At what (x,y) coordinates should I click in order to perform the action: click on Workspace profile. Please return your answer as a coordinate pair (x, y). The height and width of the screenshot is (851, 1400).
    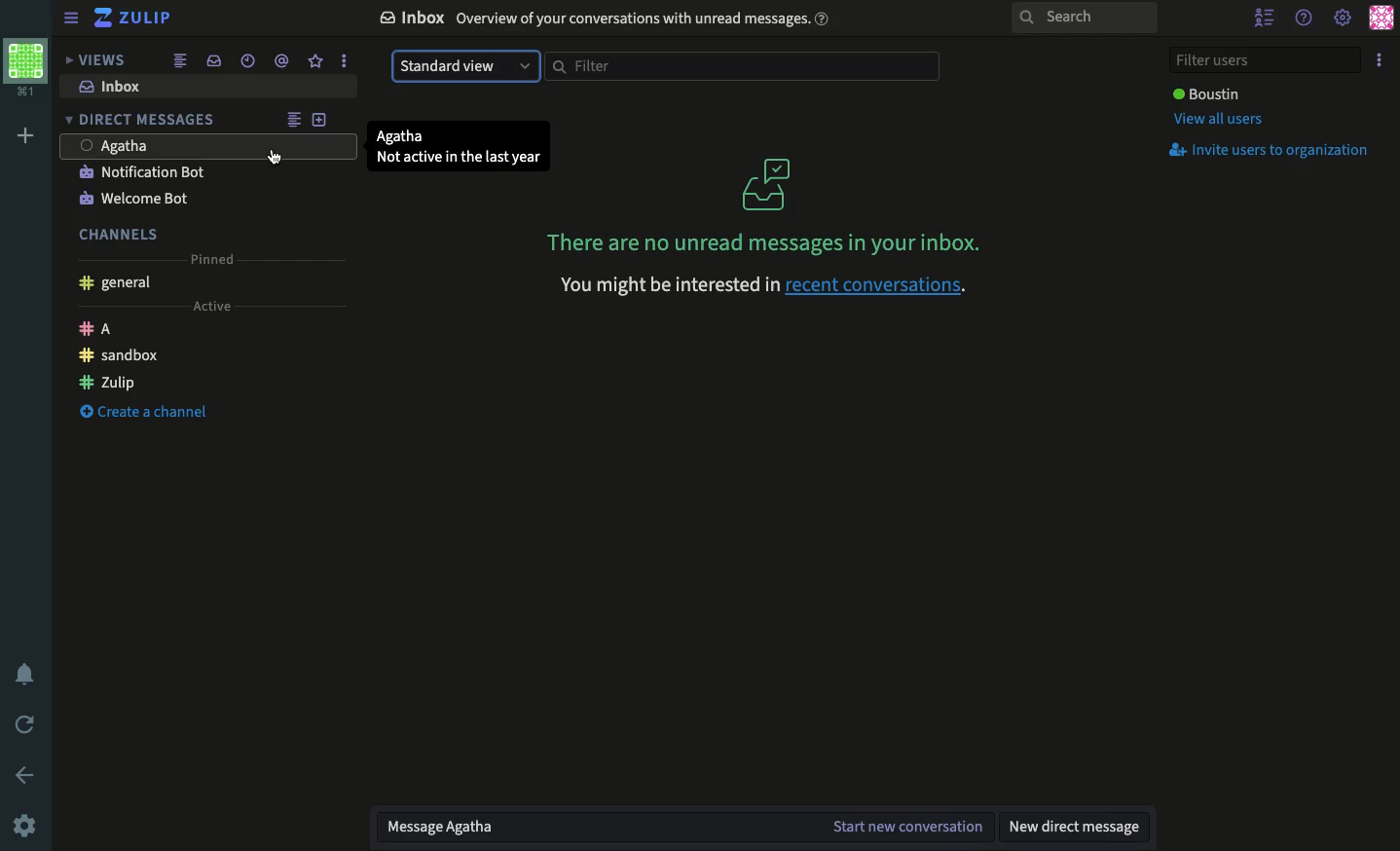
    Looking at the image, I should click on (27, 64).